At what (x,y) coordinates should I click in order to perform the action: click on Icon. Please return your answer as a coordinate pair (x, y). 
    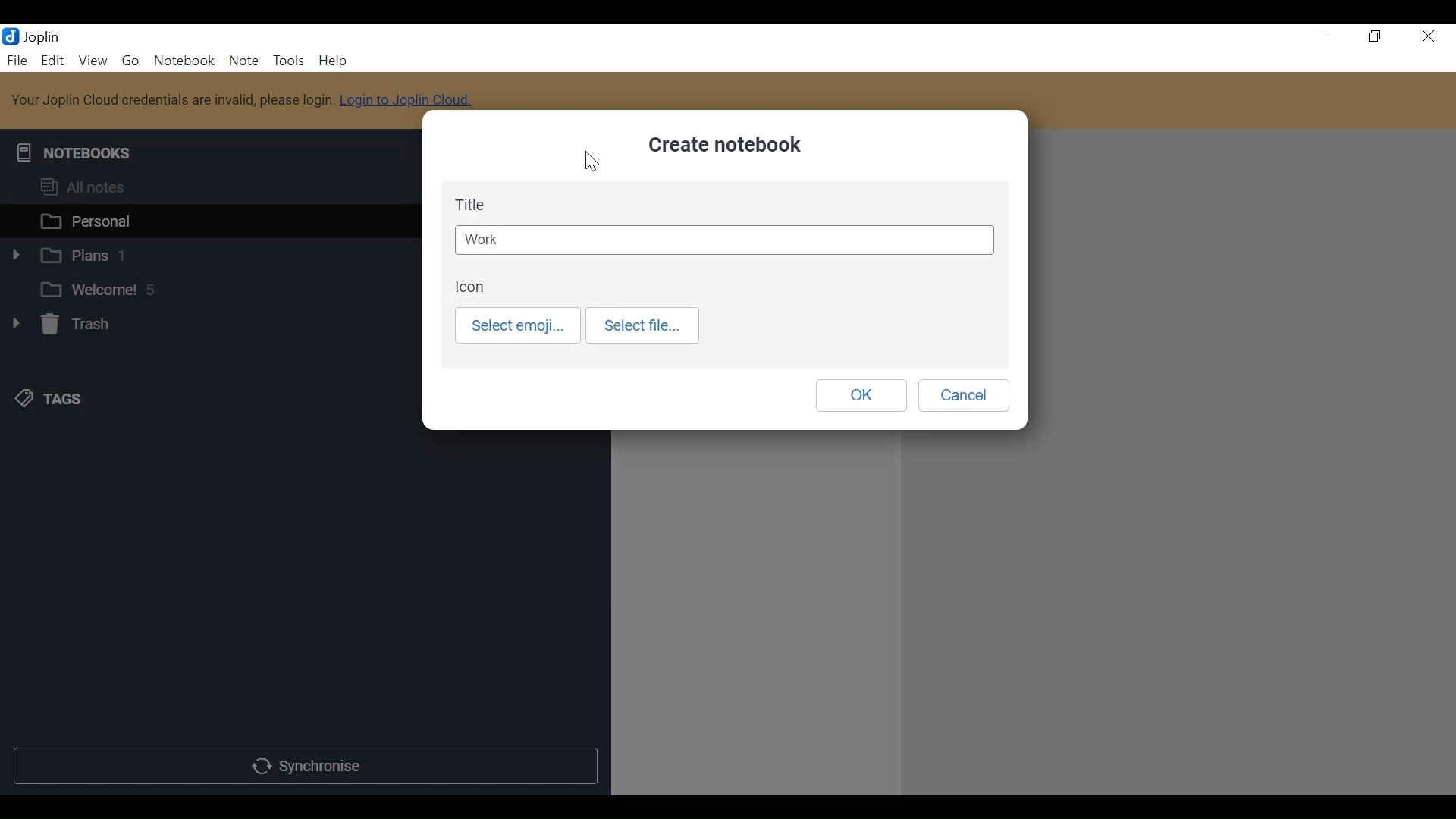
    Looking at the image, I should click on (472, 287).